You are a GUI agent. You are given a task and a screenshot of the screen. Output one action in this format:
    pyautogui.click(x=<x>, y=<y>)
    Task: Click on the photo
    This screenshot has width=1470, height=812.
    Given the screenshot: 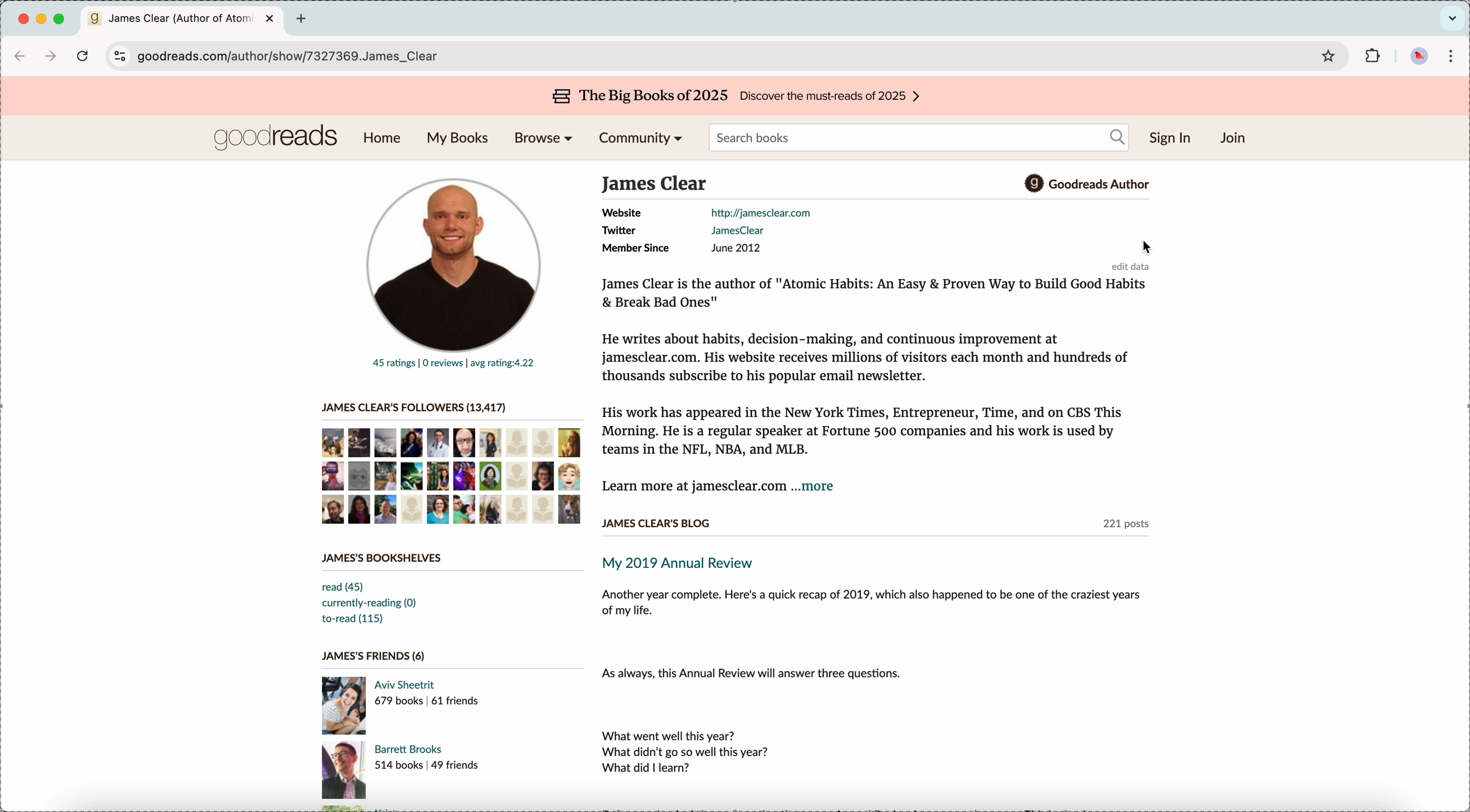 What is the action you would take?
    pyautogui.click(x=344, y=705)
    